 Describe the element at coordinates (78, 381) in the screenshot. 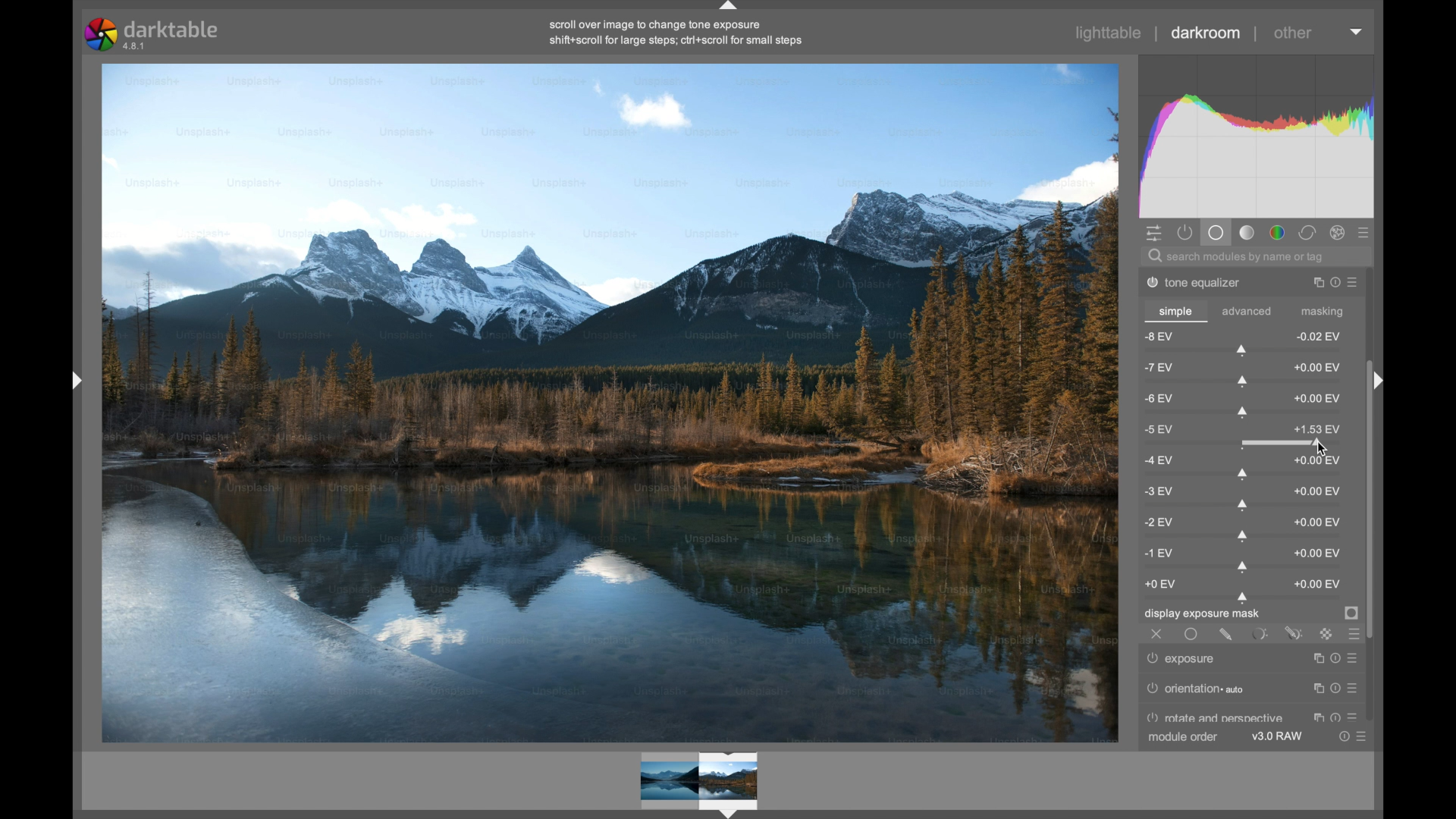

I see `Drag handle` at that location.